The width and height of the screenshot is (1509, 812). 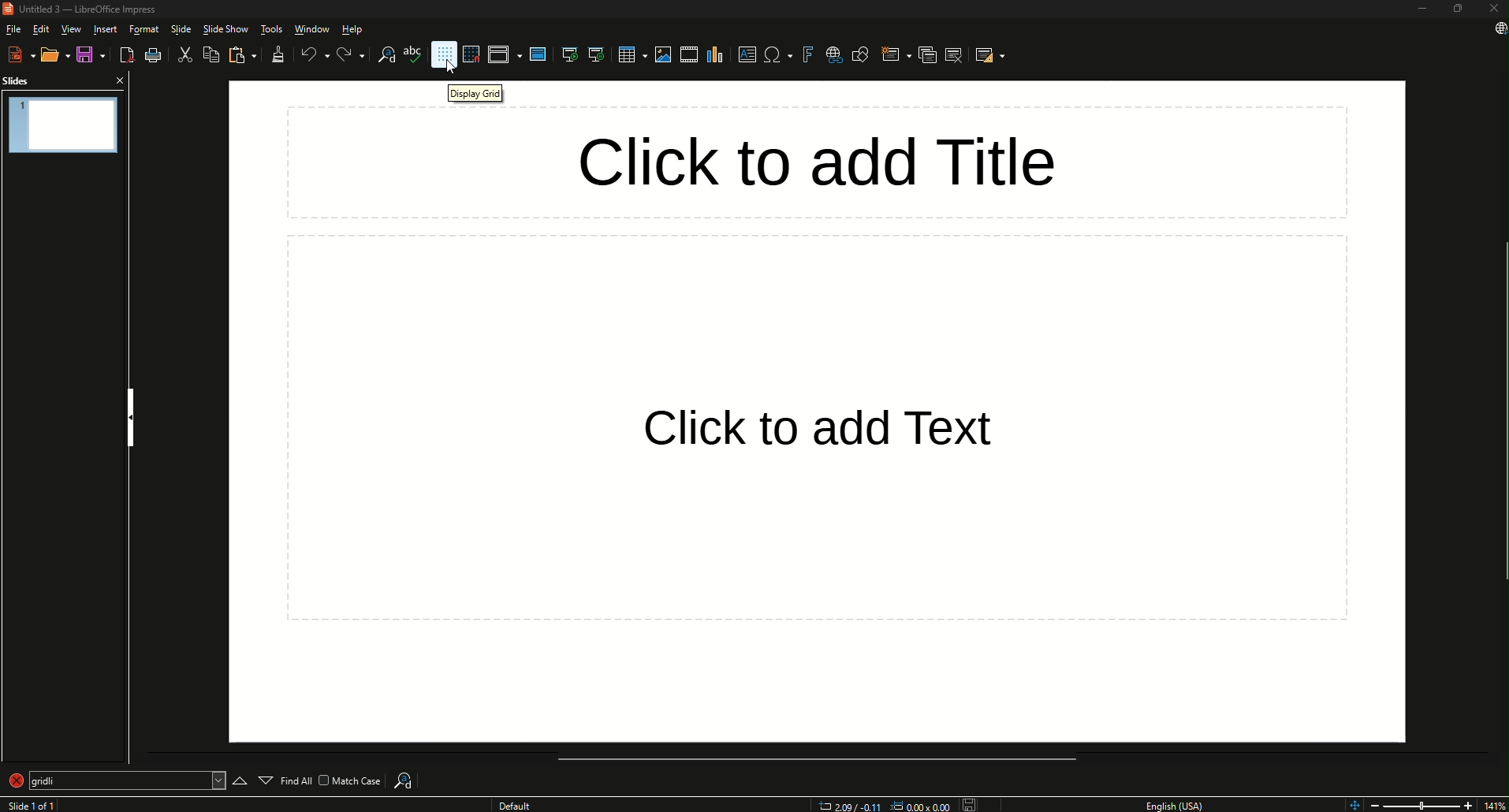 What do you see at coordinates (311, 29) in the screenshot?
I see `Window` at bounding box center [311, 29].